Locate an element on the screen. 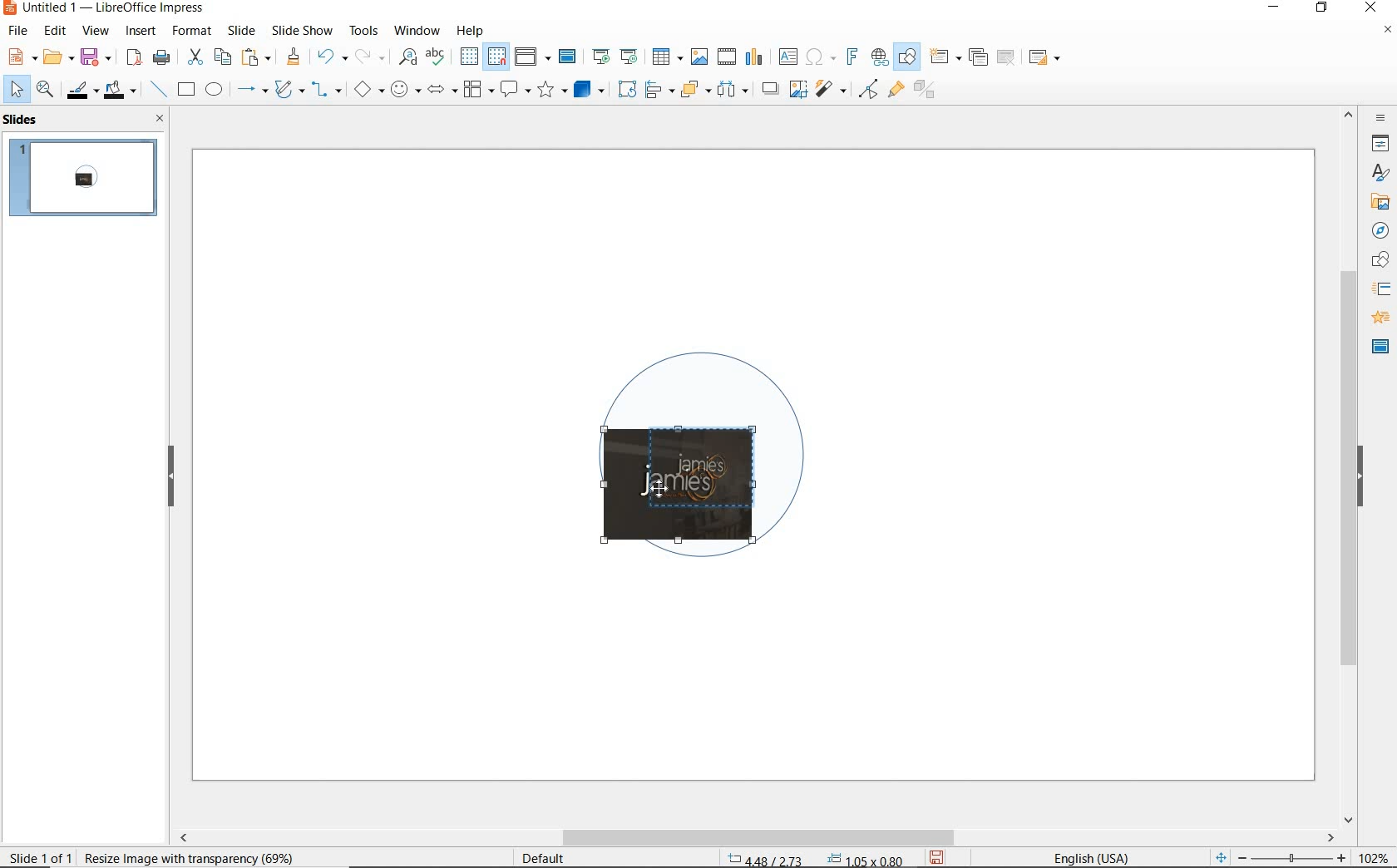  edit is located at coordinates (56, 31).